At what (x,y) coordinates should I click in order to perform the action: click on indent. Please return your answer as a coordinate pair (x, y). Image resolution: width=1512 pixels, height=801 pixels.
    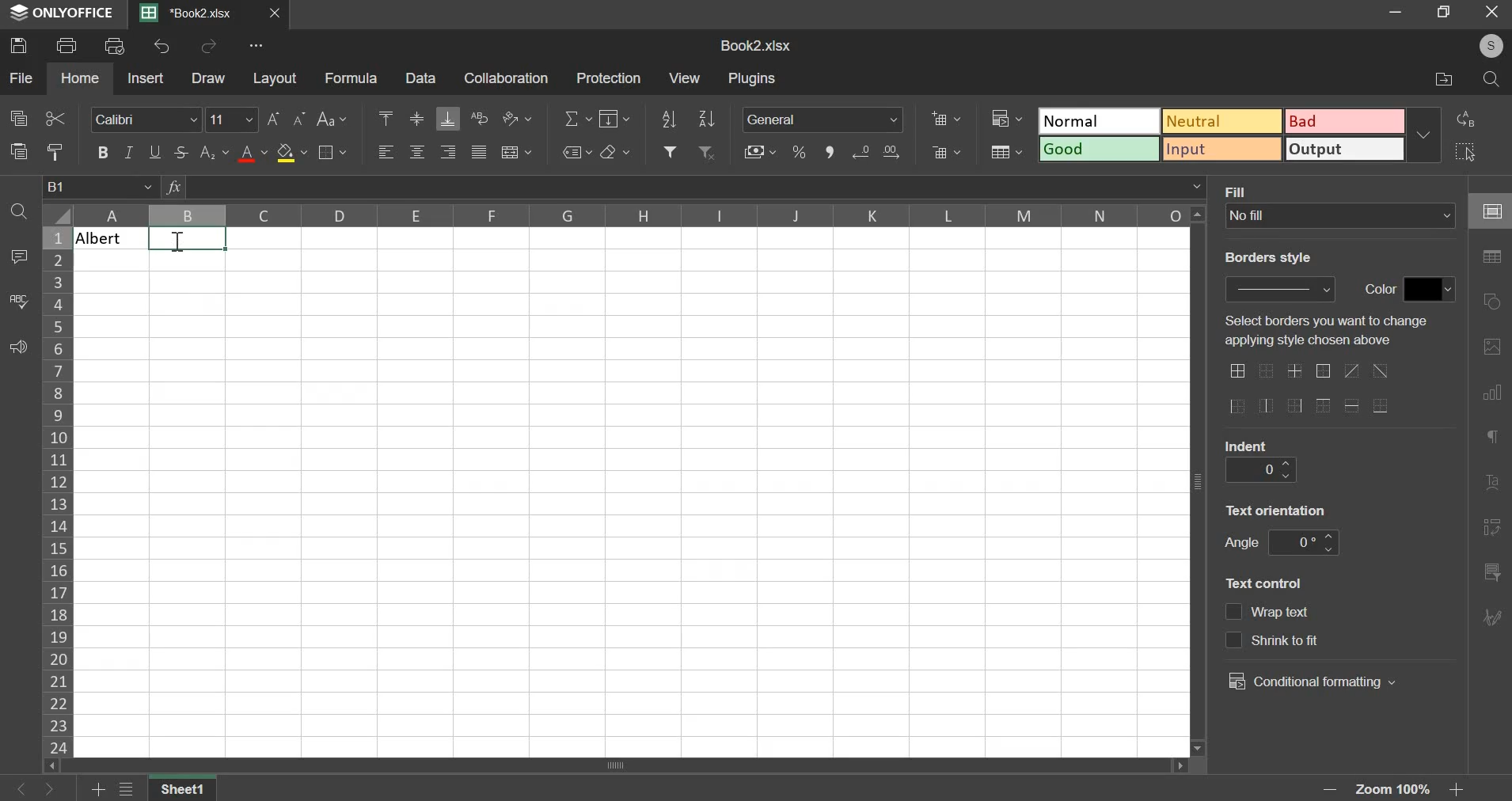
    Looking at the image, I should click on (1257, 469).